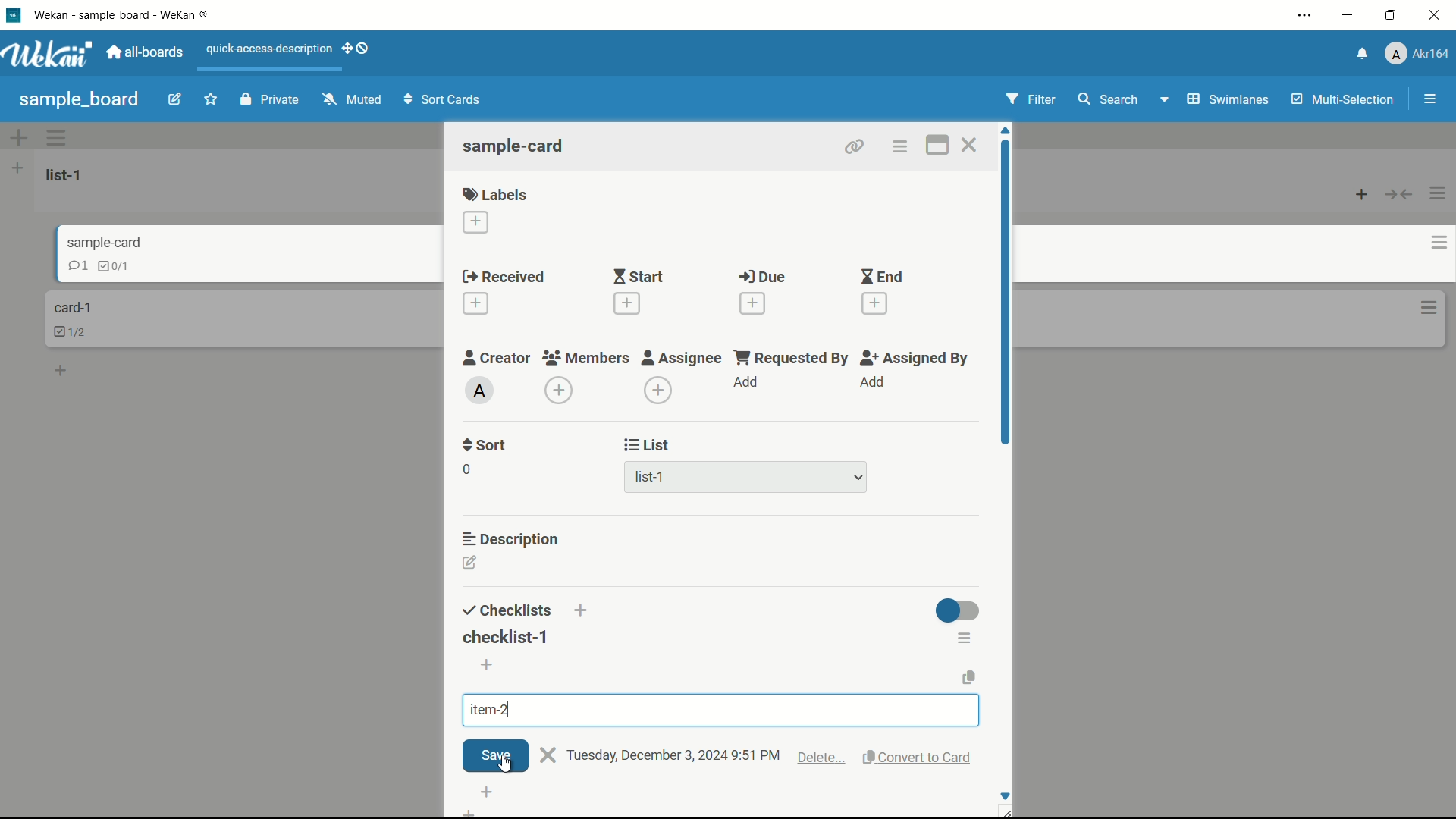  Describe the element at coordinates (272, 99) in the screenshot. I see `private` at that location.